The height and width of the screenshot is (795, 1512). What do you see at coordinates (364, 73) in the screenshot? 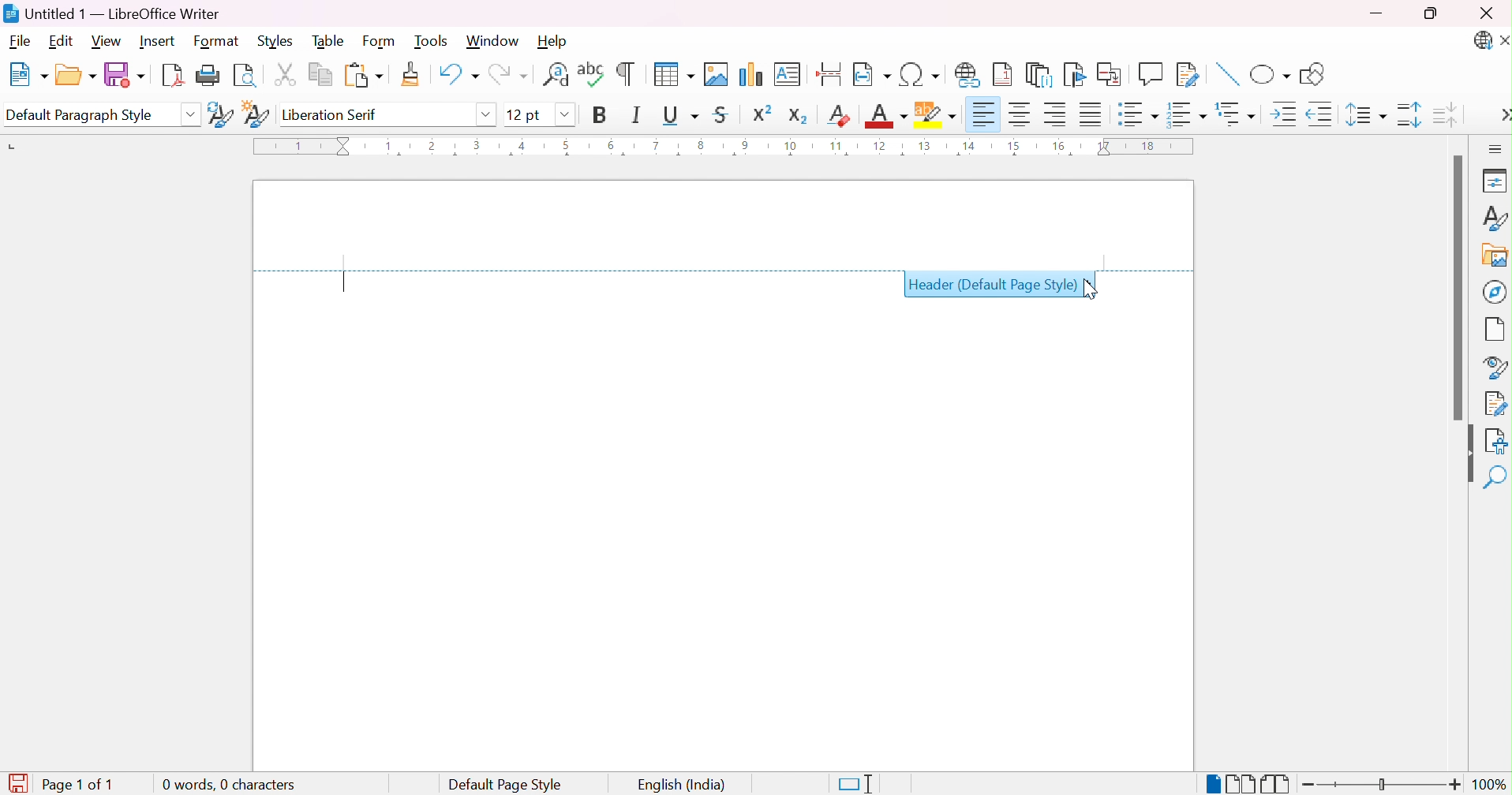
I see `Paste` at bounding box center [364, 73].